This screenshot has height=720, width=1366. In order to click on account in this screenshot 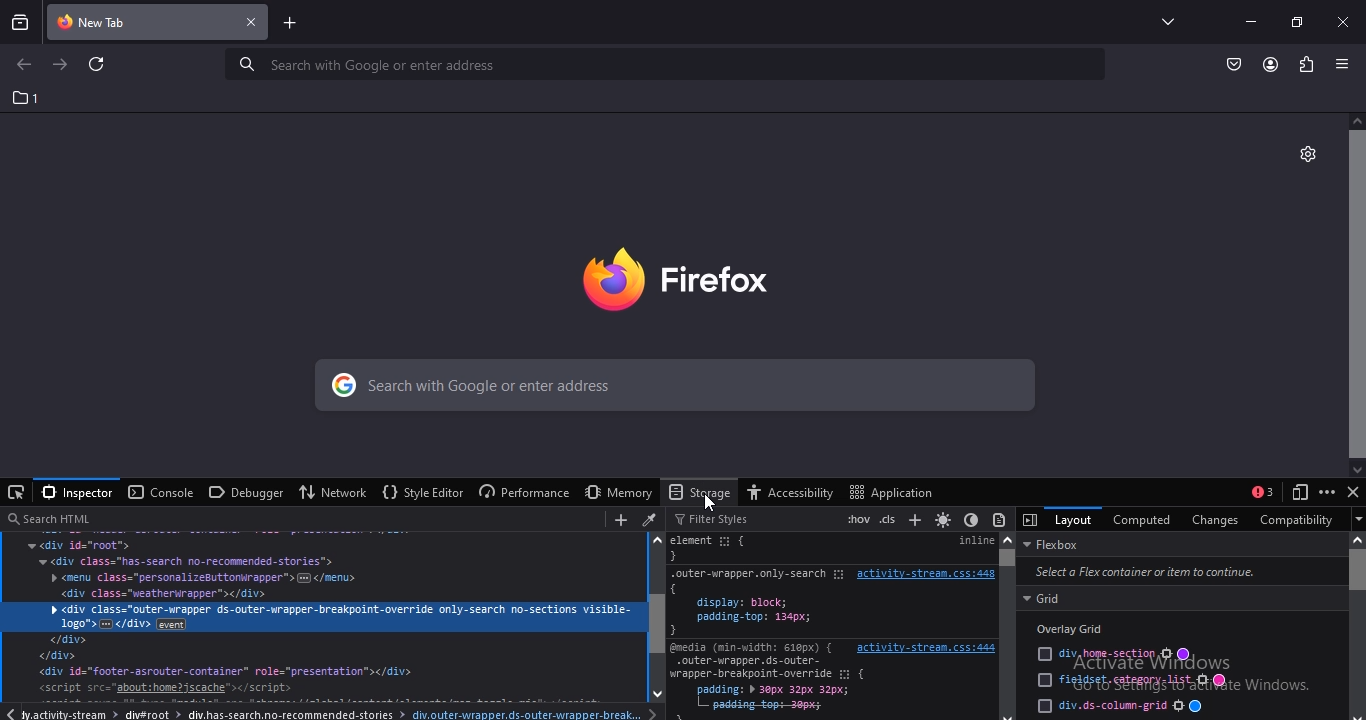, I will do `click(1271, 65)`.